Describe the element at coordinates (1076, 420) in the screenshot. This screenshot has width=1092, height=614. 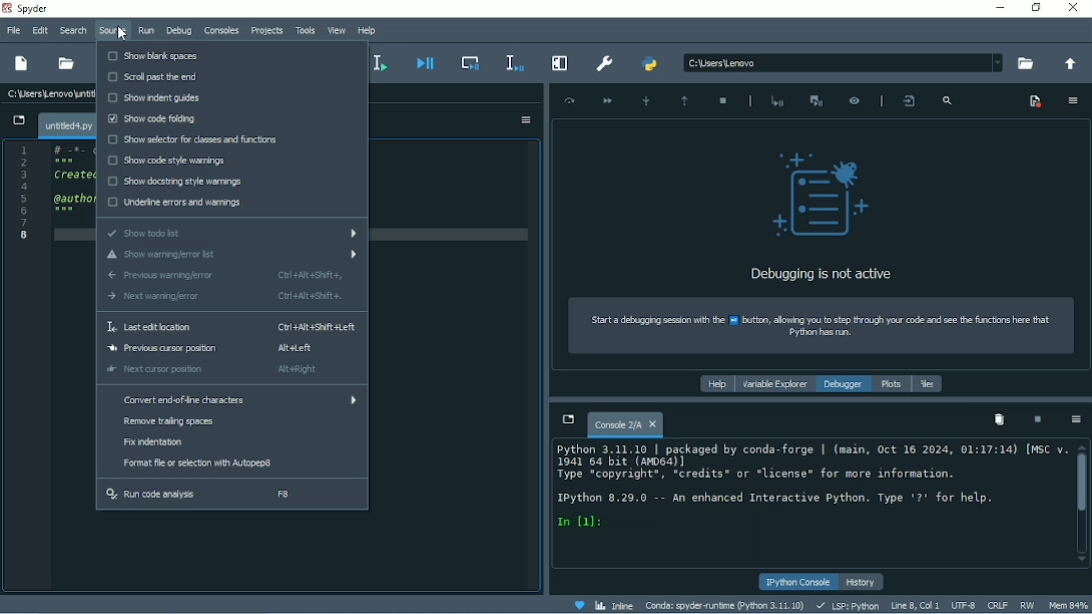
I see `Options` at that location.